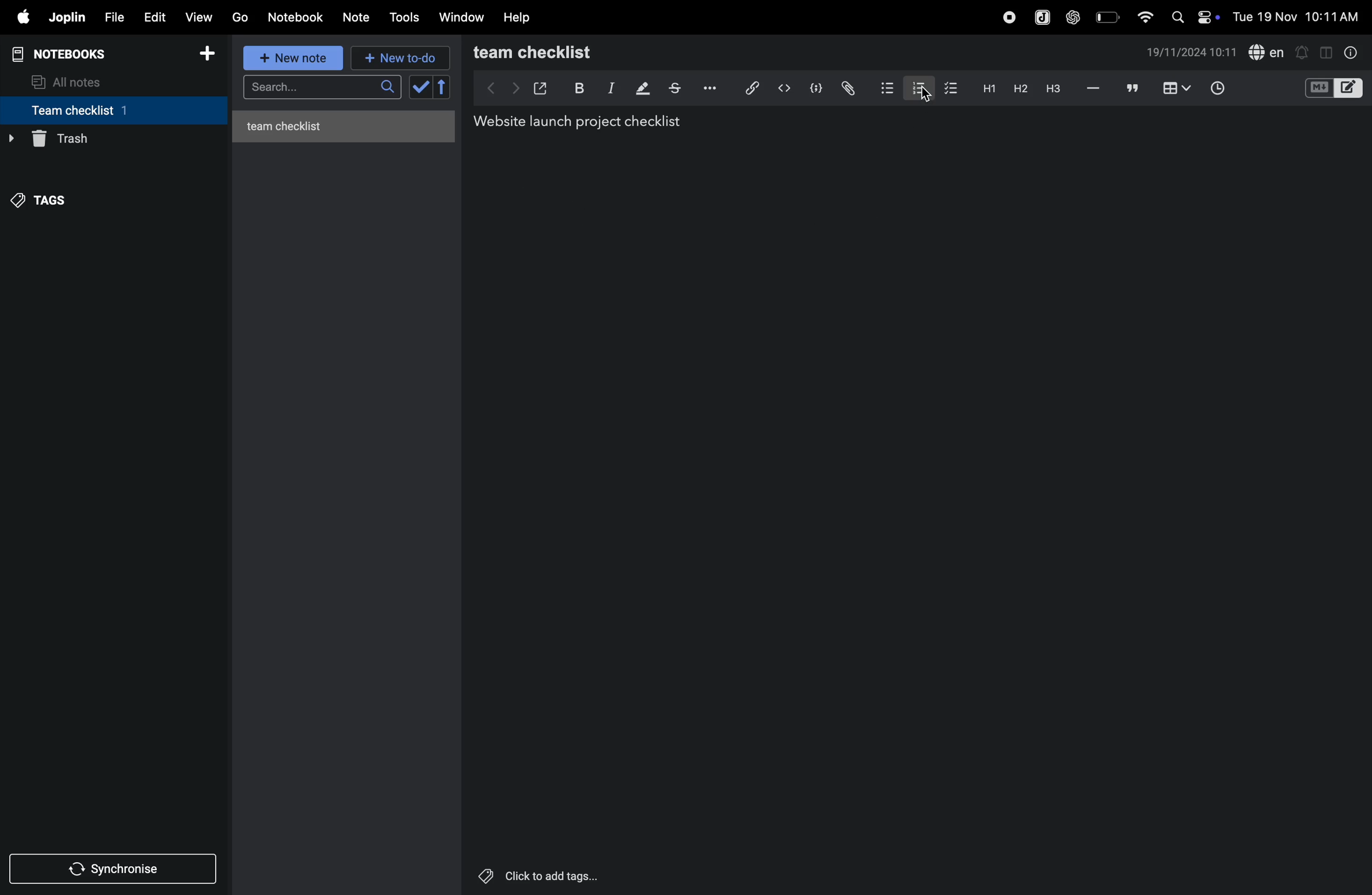 This screenshot has width=1372, height=895. I want to click on date and time, so click(1192, 54).